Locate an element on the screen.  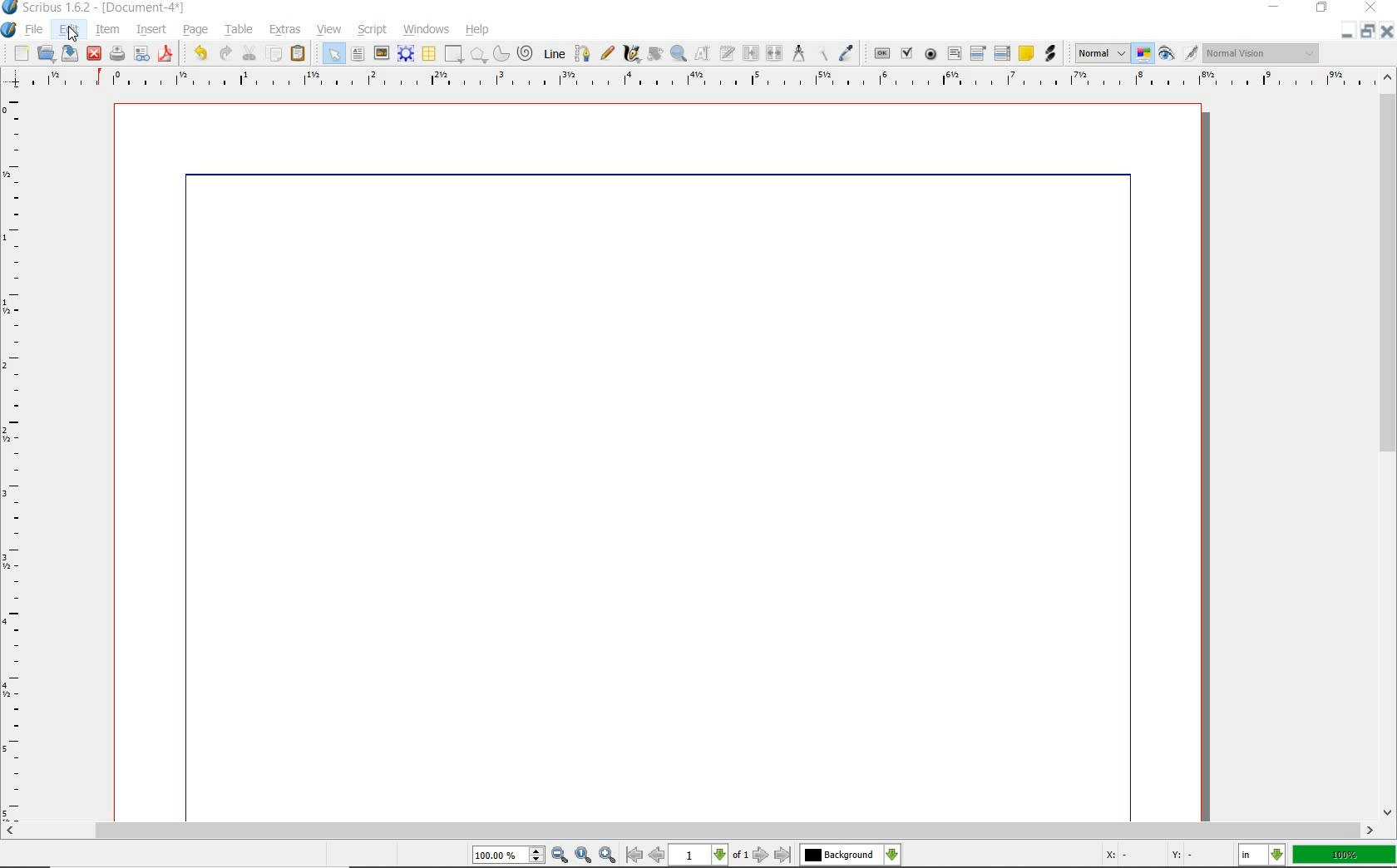
rotate item is located at coordinates (654, 55).